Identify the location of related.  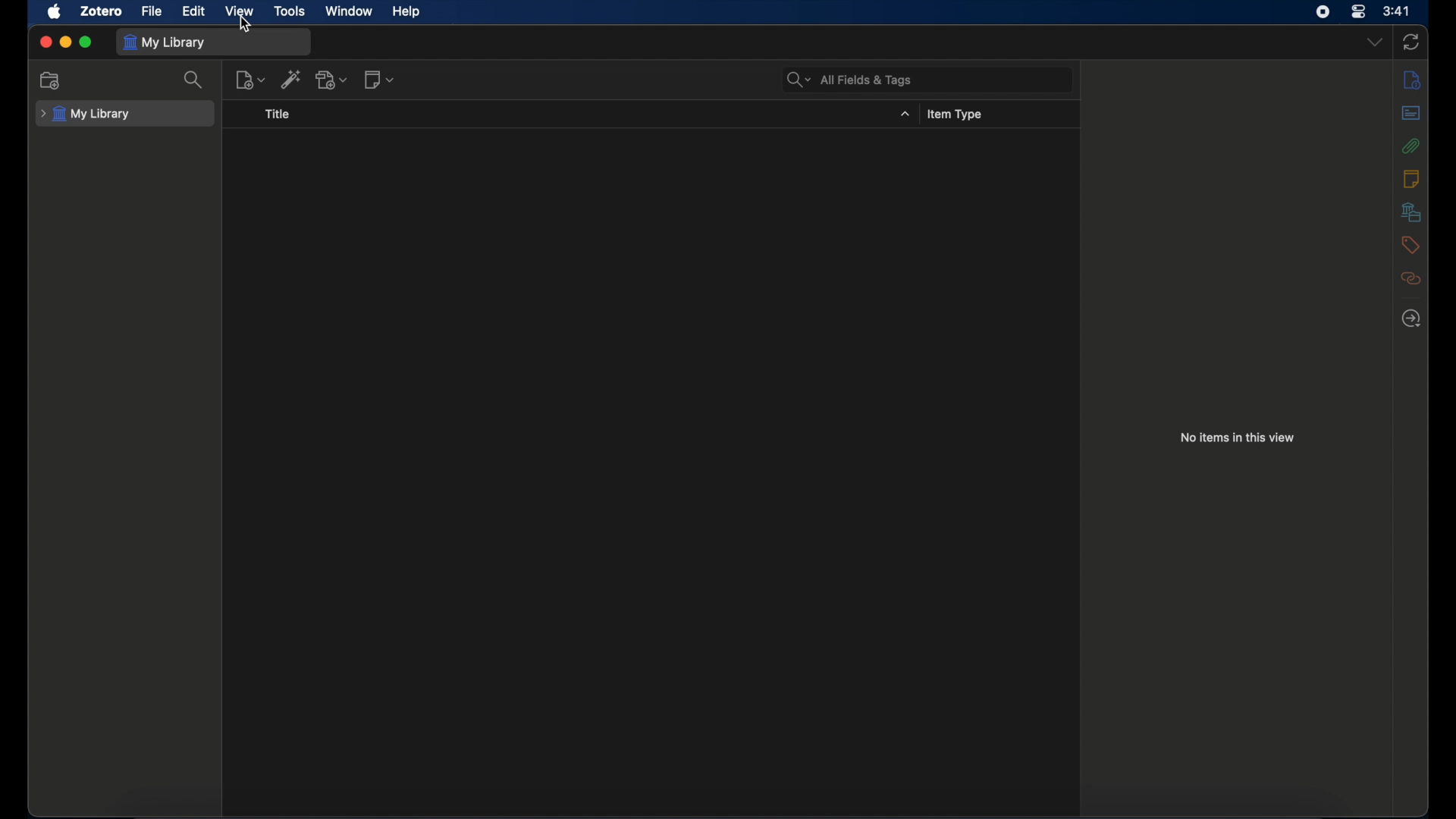
(1410, 278).